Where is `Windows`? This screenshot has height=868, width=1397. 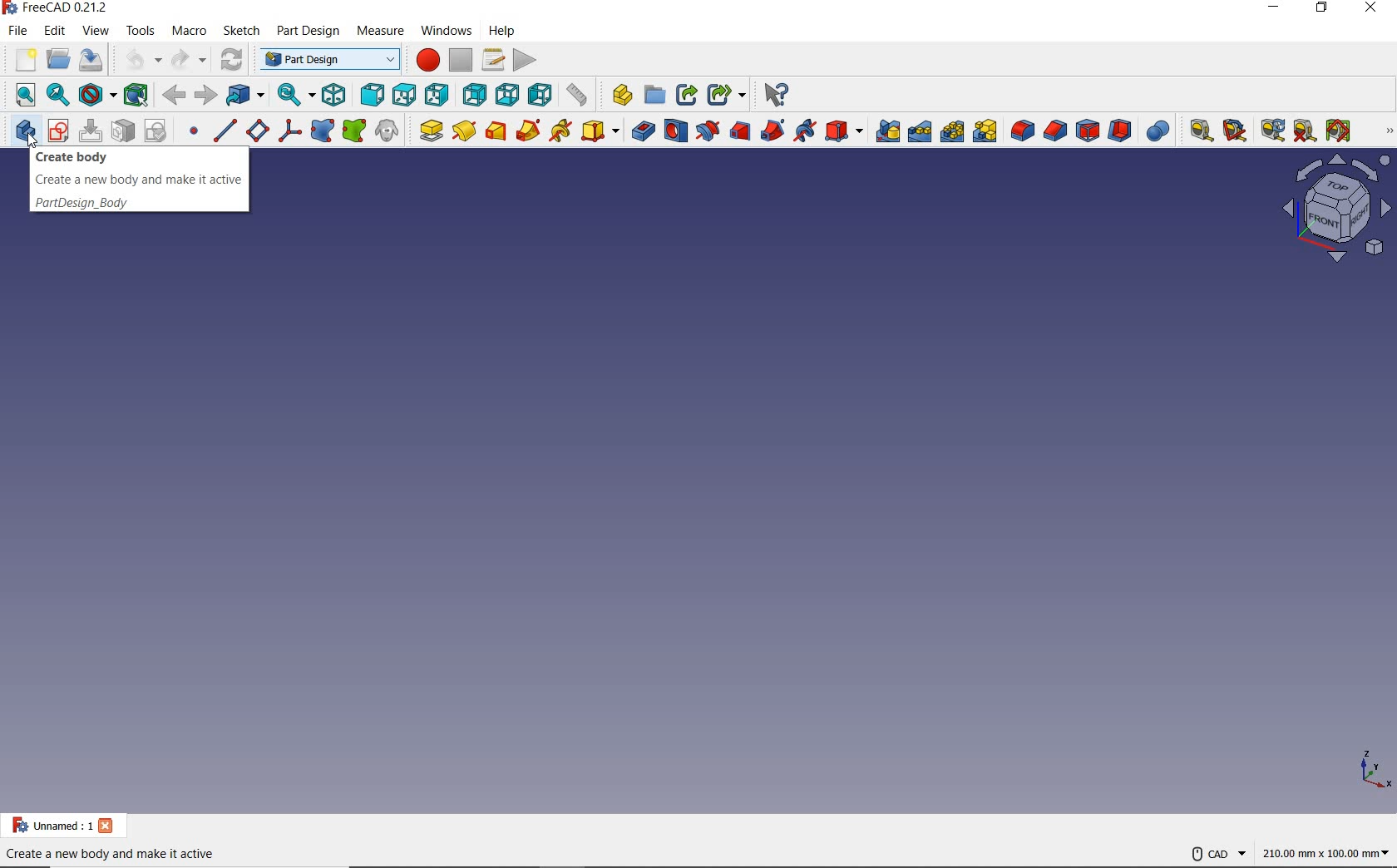
Windows is located at coordinates (444, 32).